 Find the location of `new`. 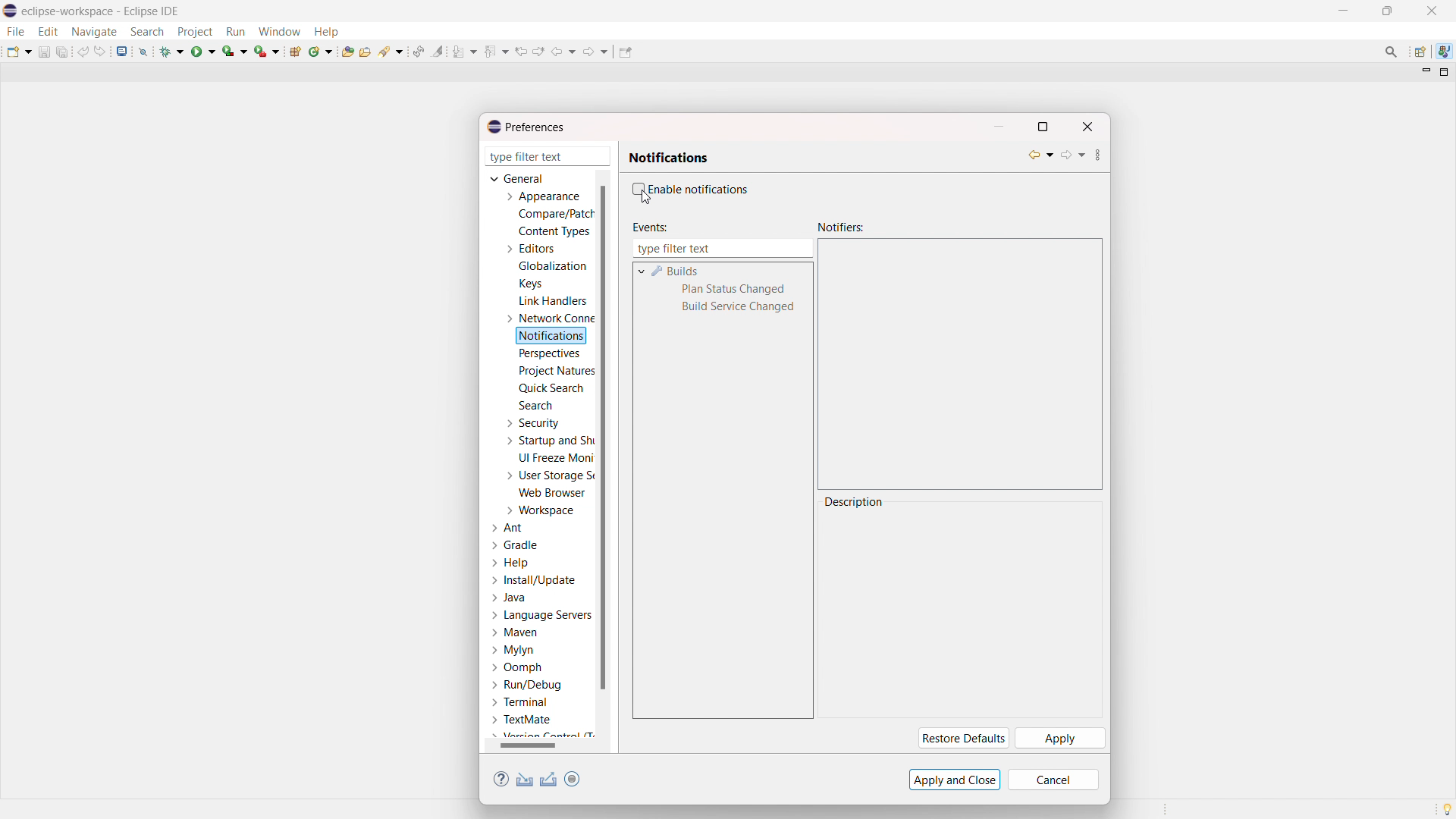

new is located at coordinates (19, 51).